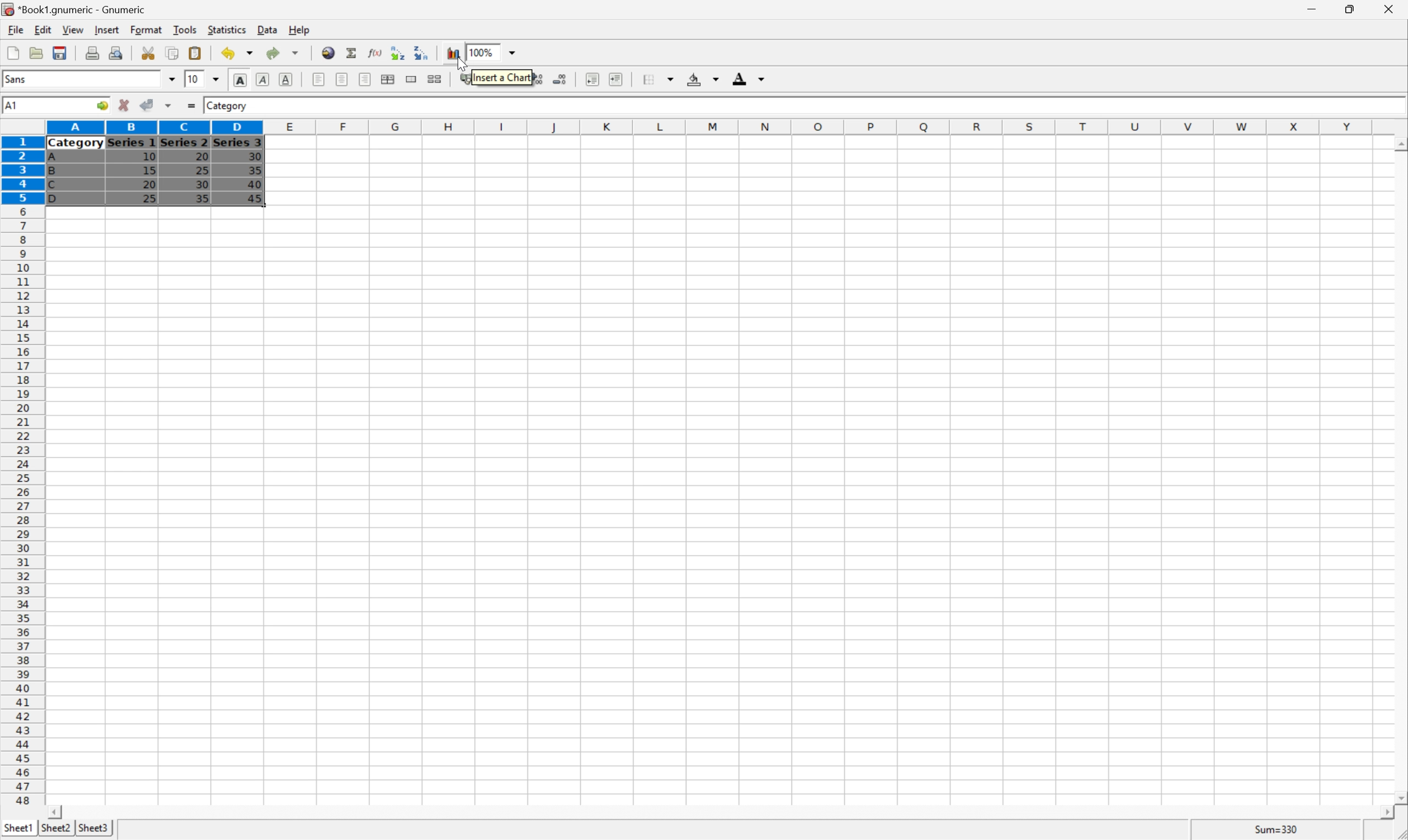 The height and width of the screenshot is (840, 1408). I want to click on Series 1, so click(132, 143).